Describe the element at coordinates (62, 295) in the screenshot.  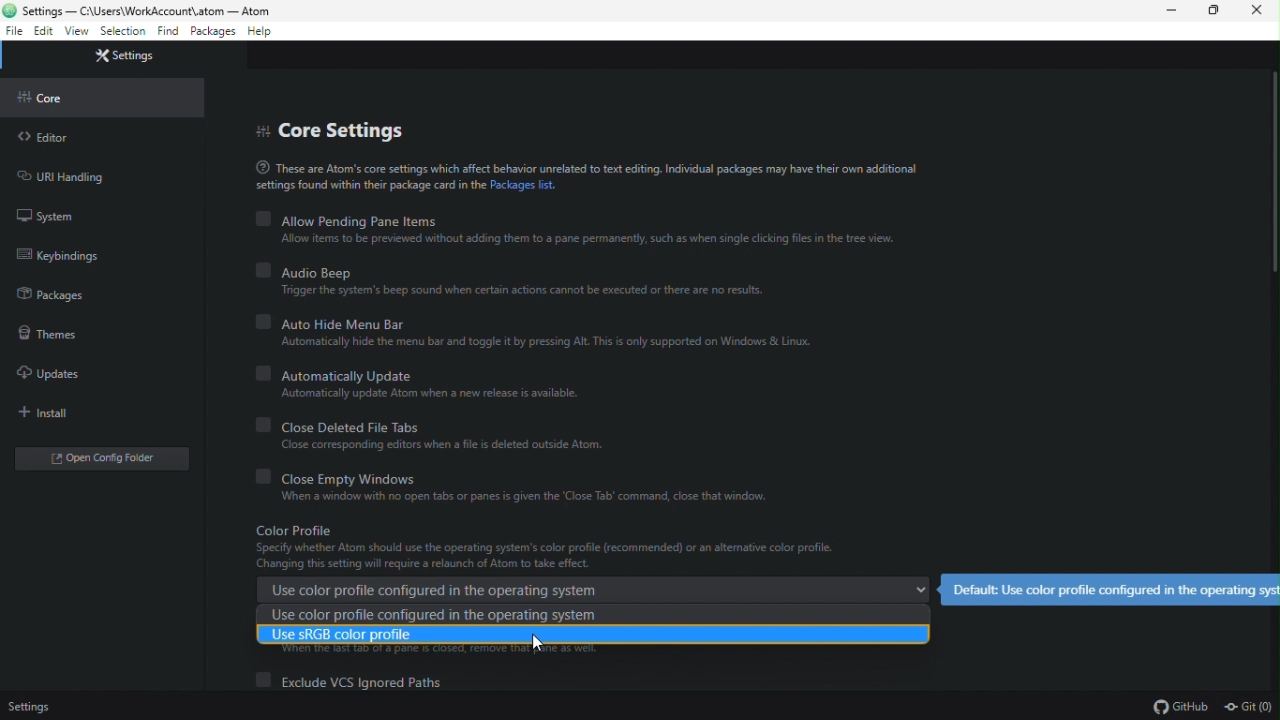
I see `packages` at that location.